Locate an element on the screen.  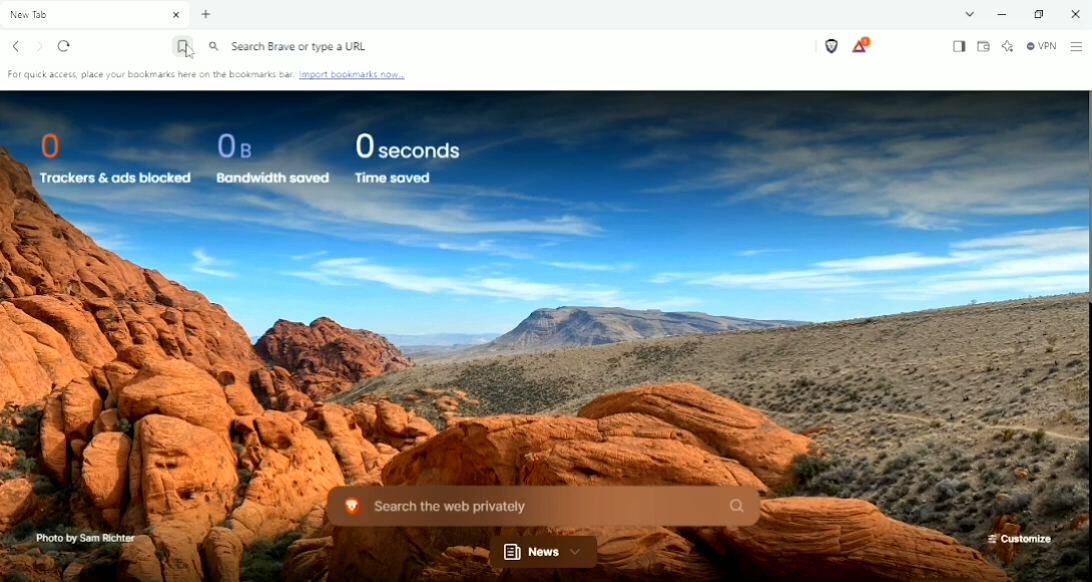
New Tab is located at coordinates (96, 15).